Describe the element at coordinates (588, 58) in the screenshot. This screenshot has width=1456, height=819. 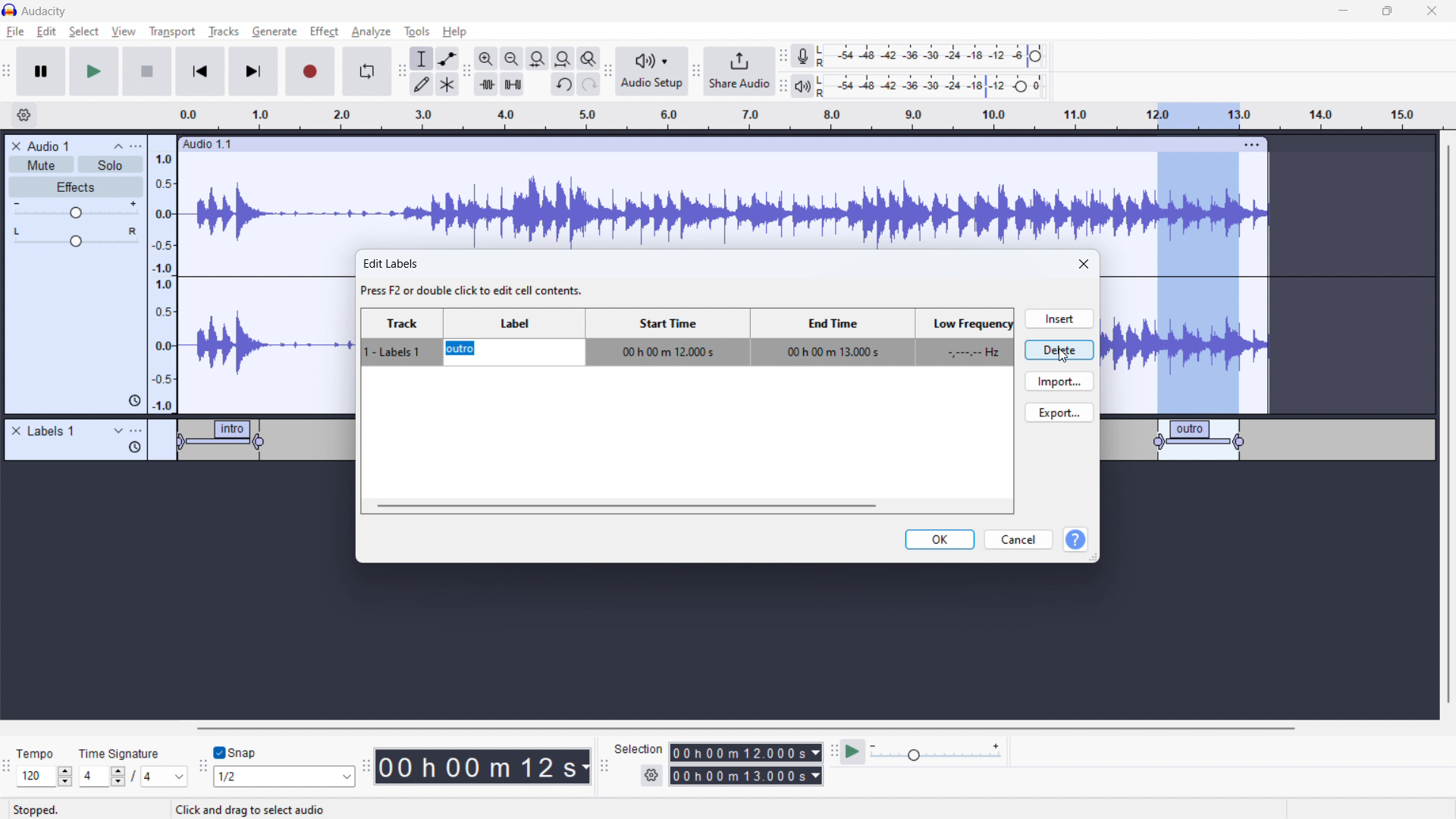
I see `toggle zoom` at that location.